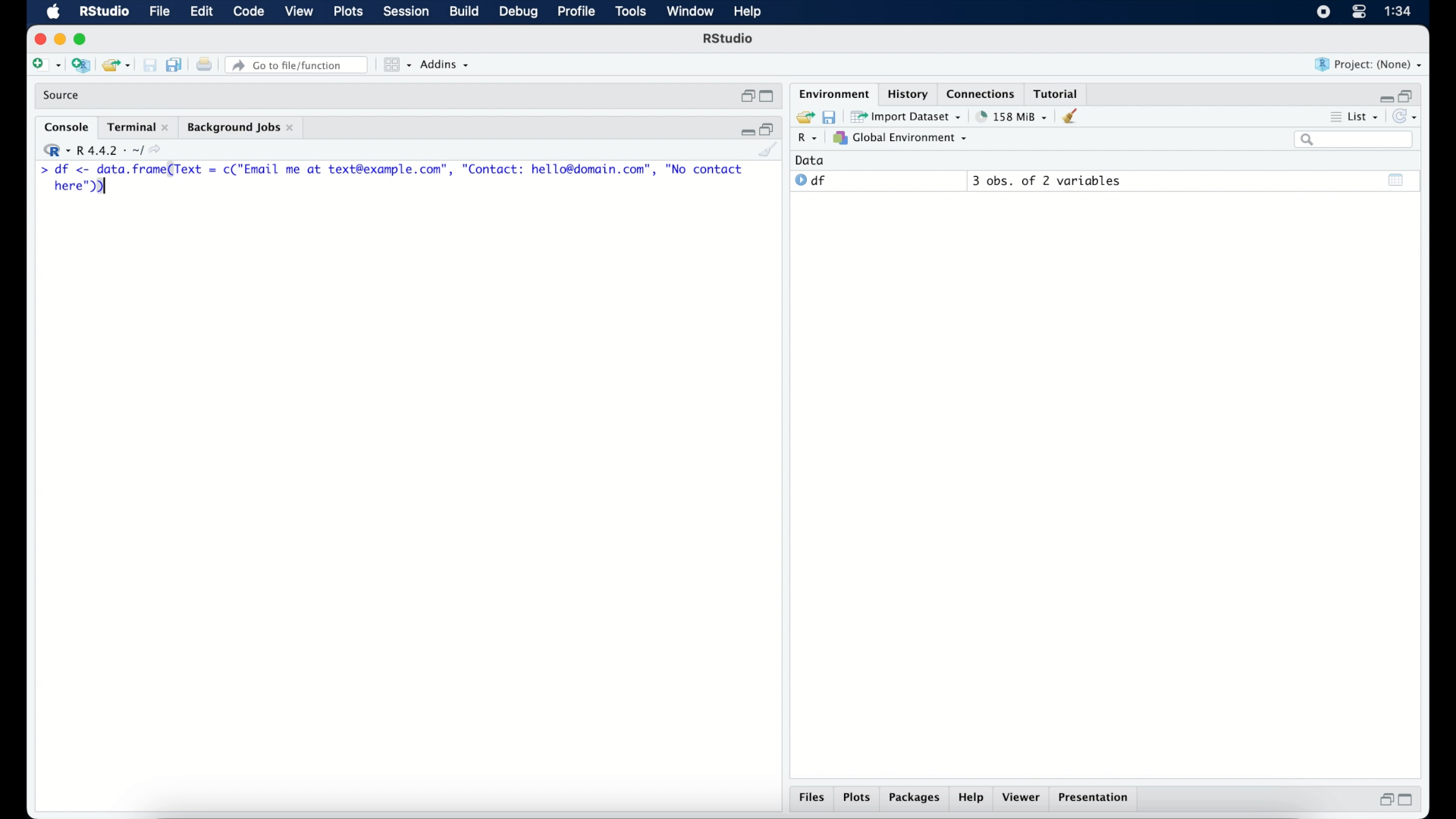  What do you see at coordinates (1412, 96) in the screenshot?
I see `restore down` at bounding box center [1412, 96].